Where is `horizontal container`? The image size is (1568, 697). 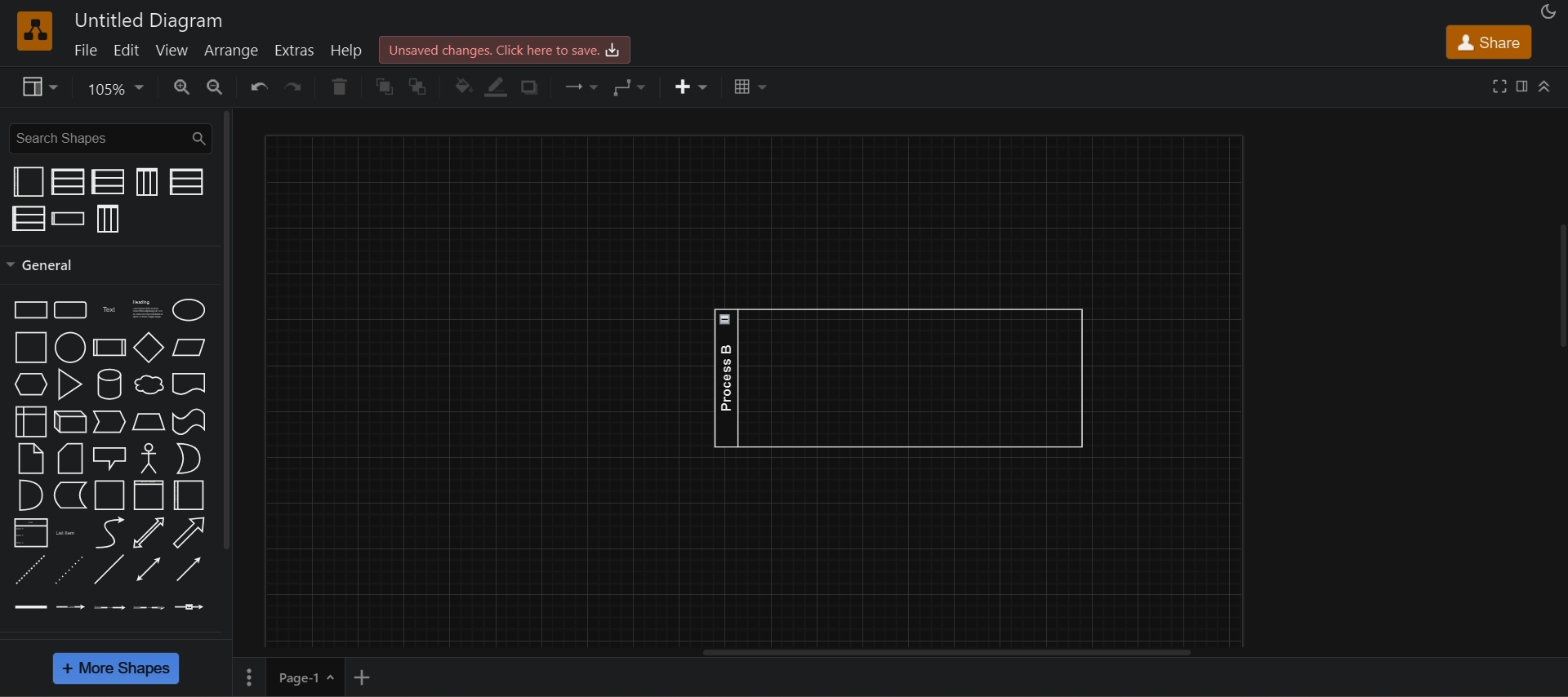 horizontal container is located at coordinates (189, 495).